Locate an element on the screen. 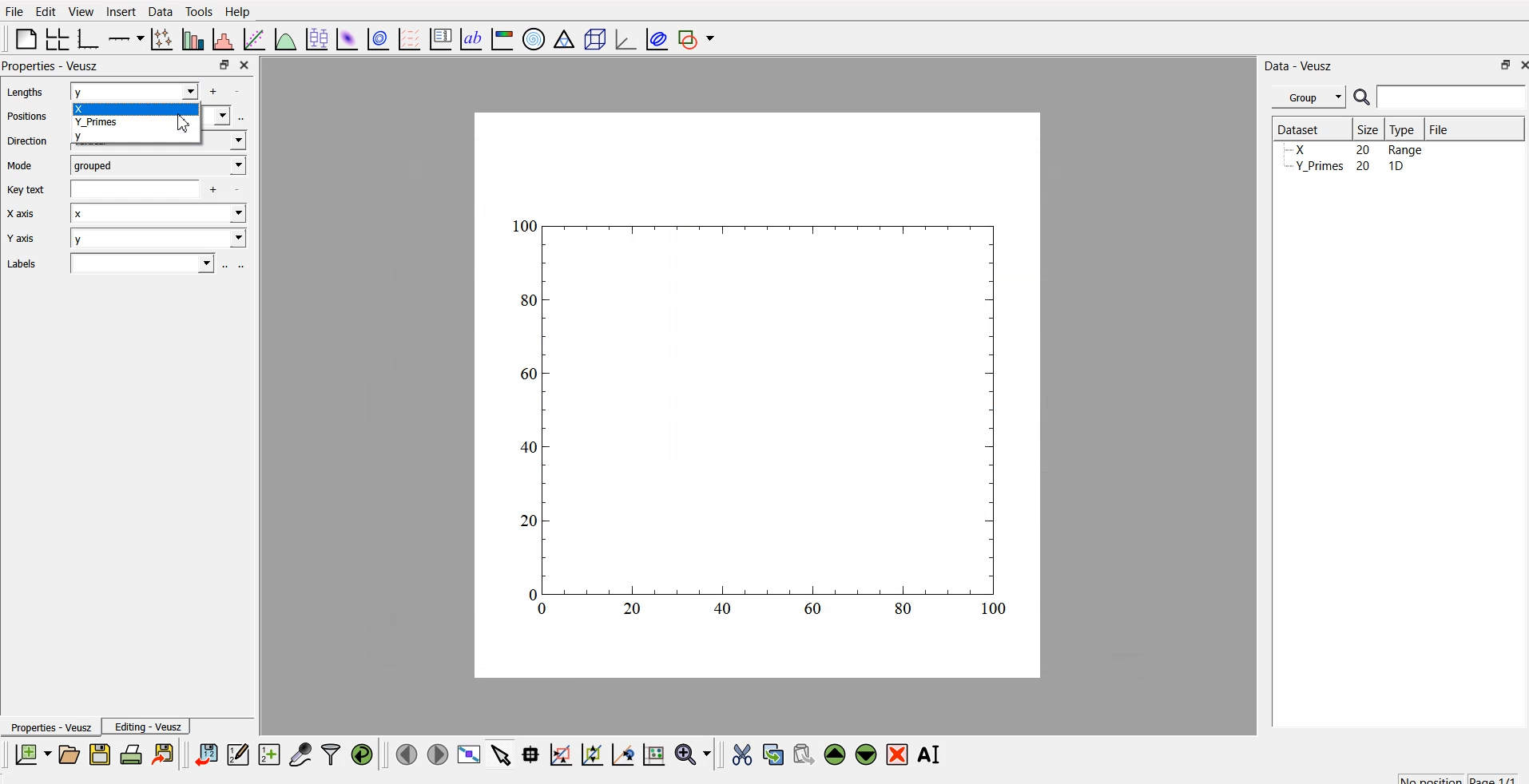 The image size is (1529, 784). plot covariance ellipses is located at coordinates (657, 38).